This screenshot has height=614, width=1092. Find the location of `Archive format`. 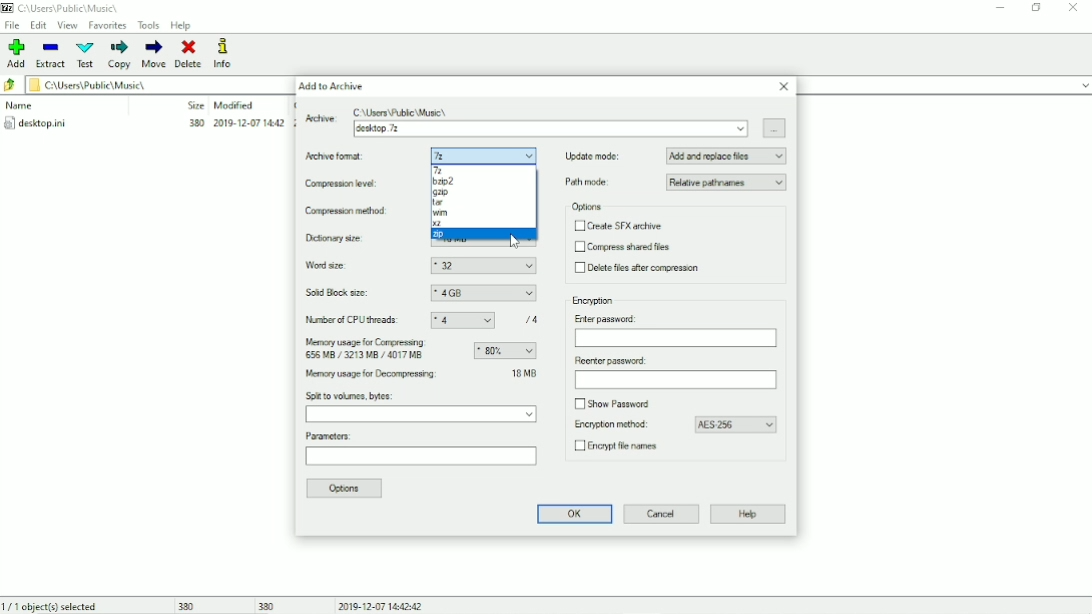

Archive format is located at coordinates (352, 157).